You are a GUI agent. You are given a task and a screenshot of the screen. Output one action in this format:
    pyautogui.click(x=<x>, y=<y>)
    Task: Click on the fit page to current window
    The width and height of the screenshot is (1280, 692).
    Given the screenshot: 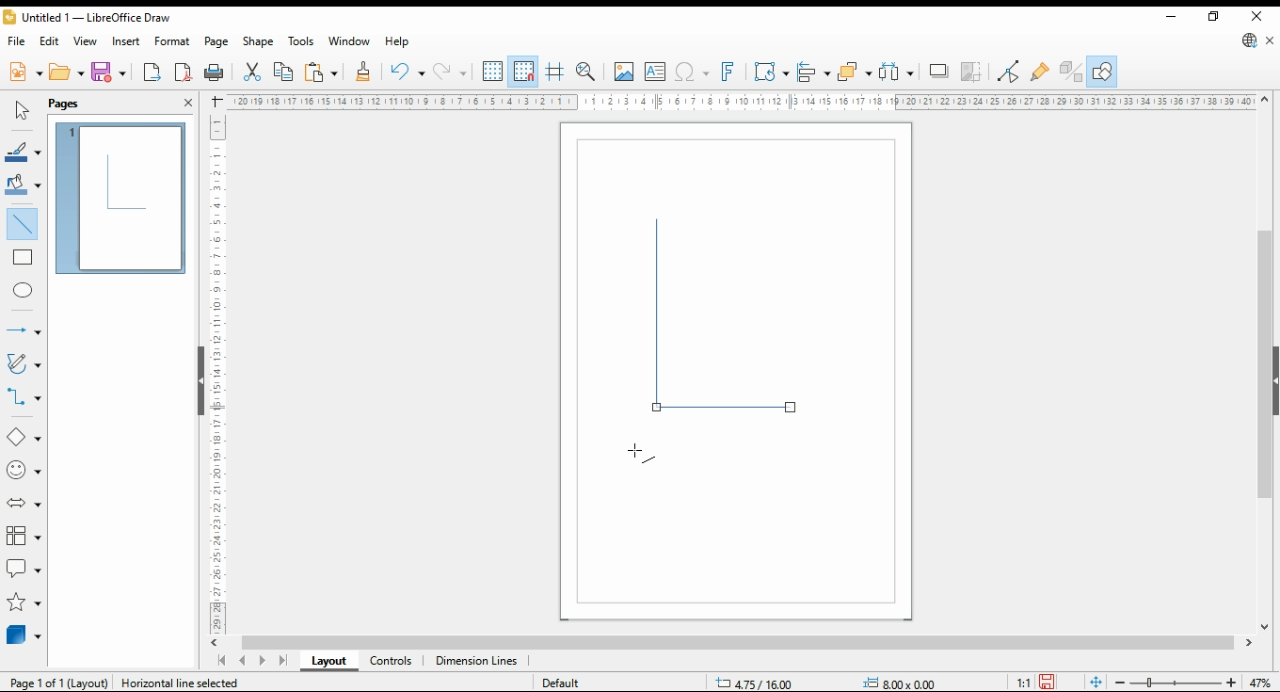 What is the action you would take?
    pyautogui.click(x=1096, y=682)
    